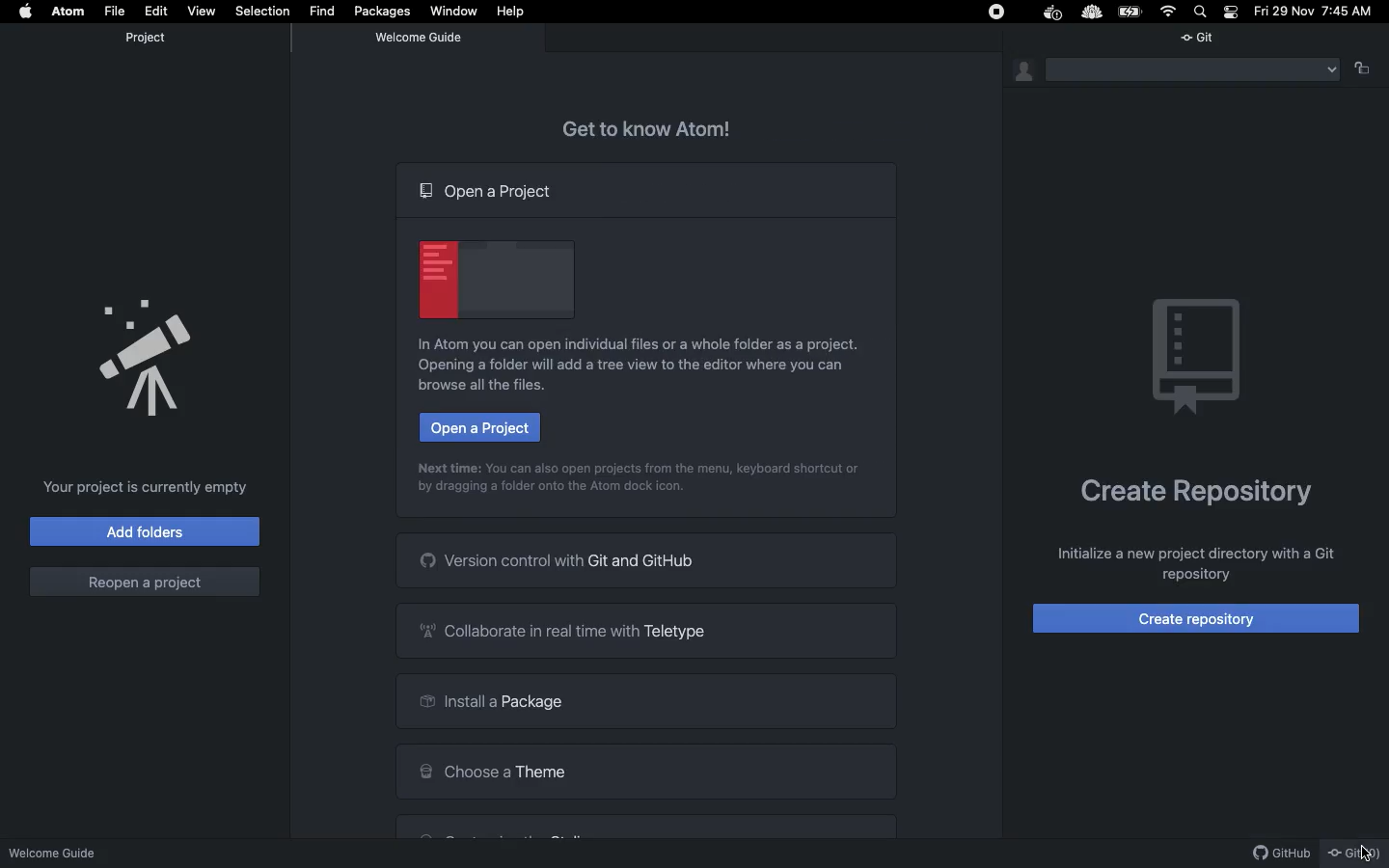  What do you see at coordinates (147, 356) in the screenshot?
I see `Announcement` at bounding box center [147, 356].